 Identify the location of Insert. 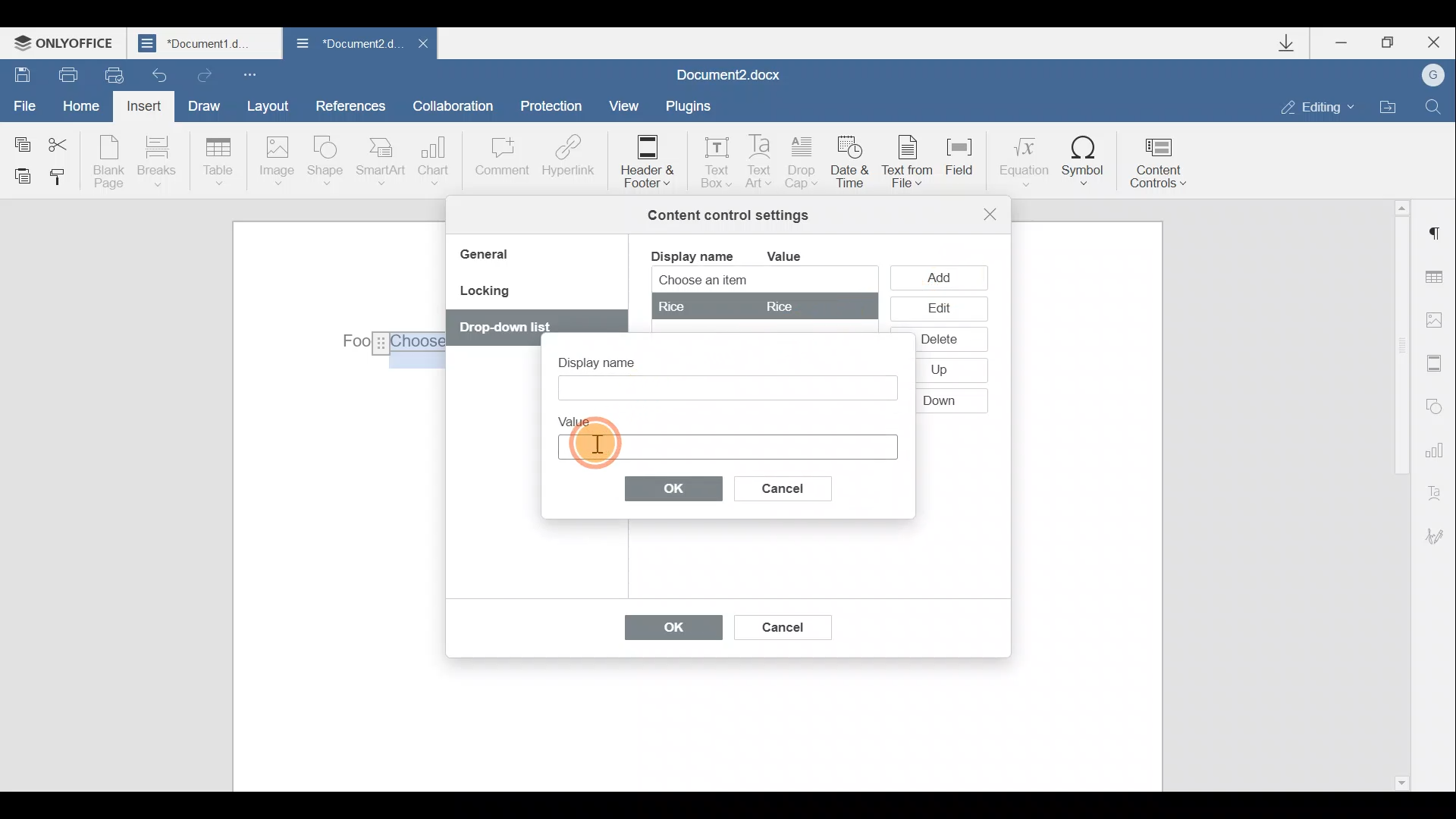
(146, 109).